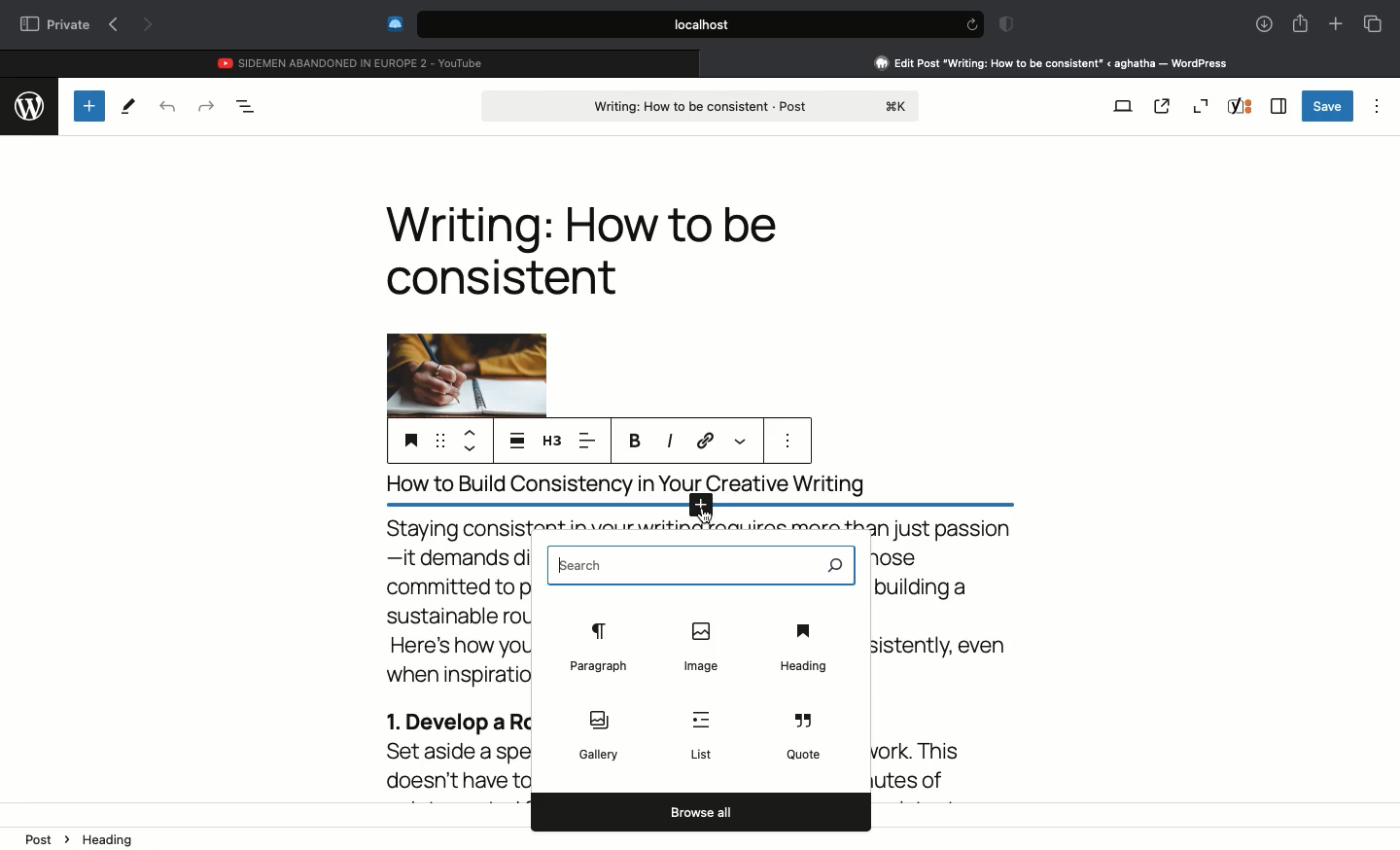 The image size is (1400, 850). Describe the element at coordinates (247, 106) in the screenshot. I see `Document overview` at that location.